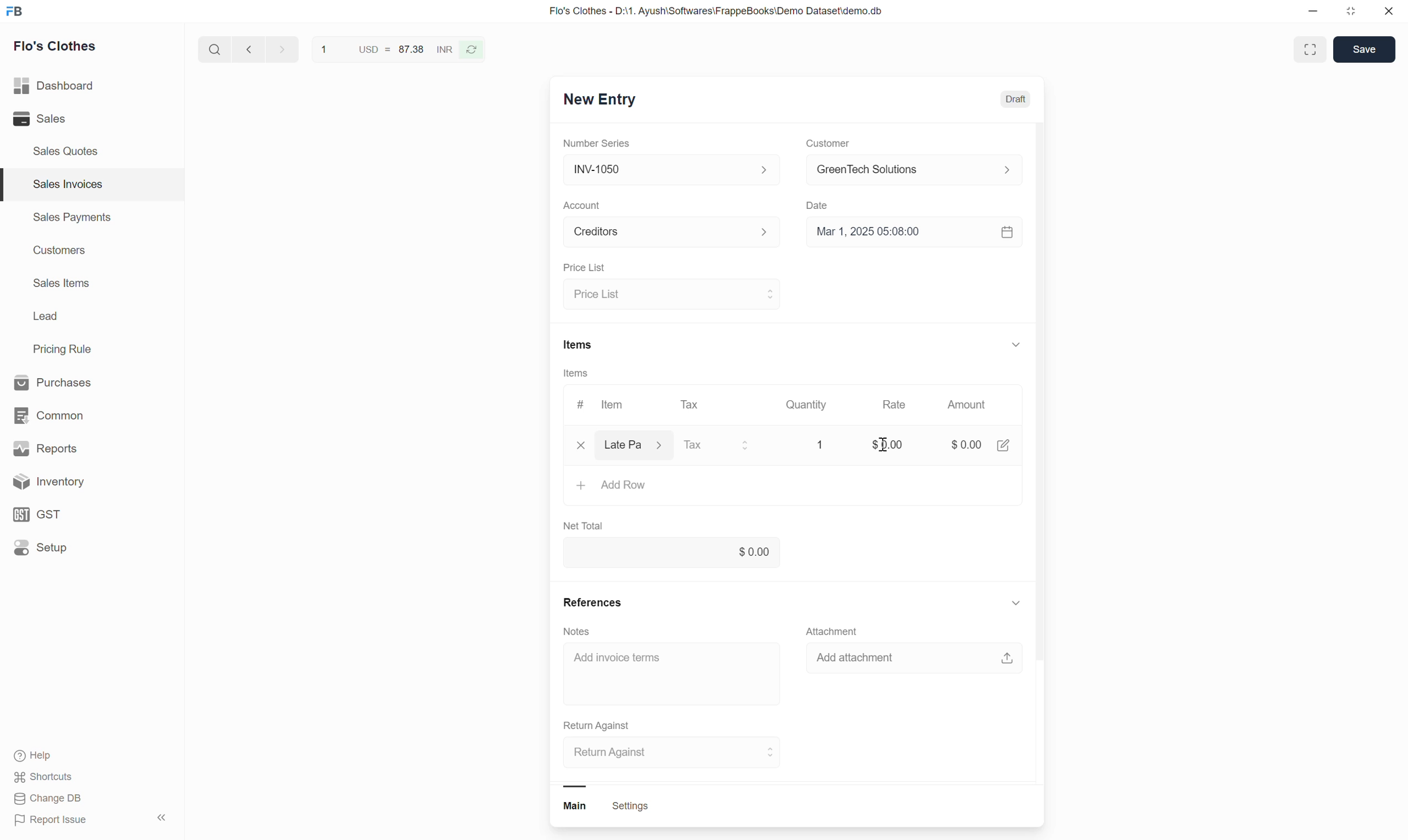 This screenshot has width=1408, height=840. I want to click on Inventory , so click(85, 482).